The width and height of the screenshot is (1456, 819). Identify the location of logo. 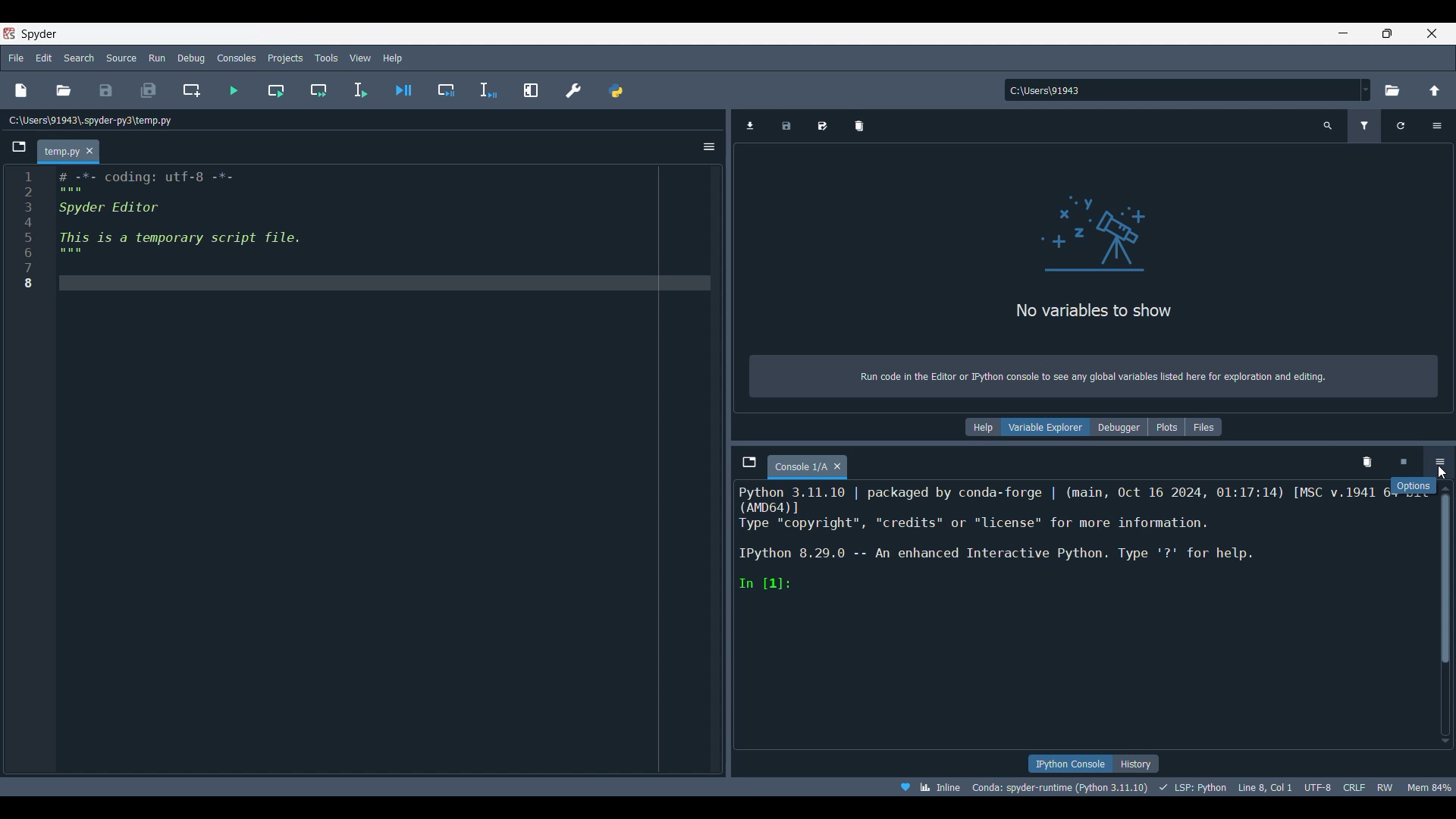
(1090, 240).